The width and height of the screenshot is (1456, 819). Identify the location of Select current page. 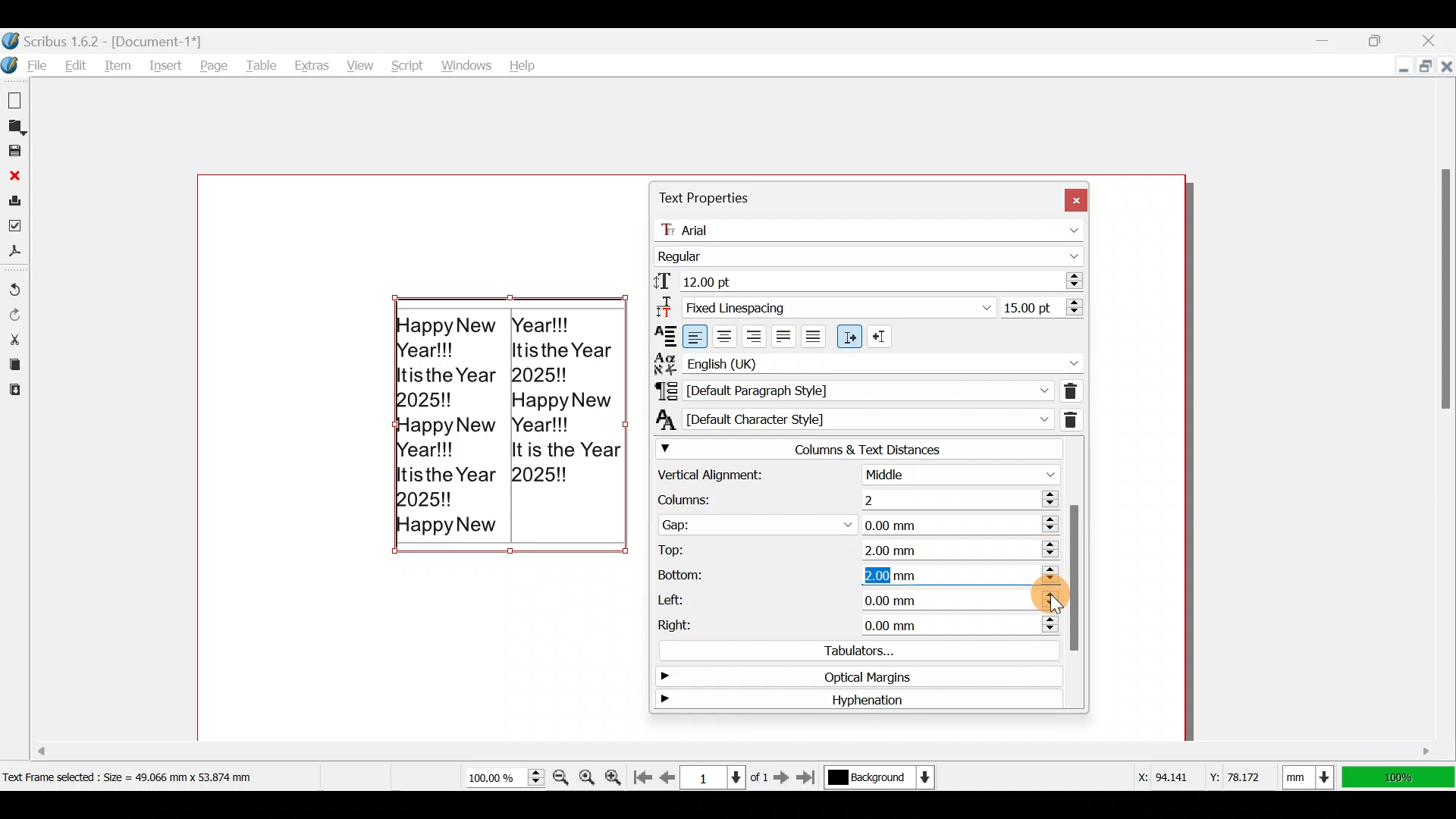
(725, 777).